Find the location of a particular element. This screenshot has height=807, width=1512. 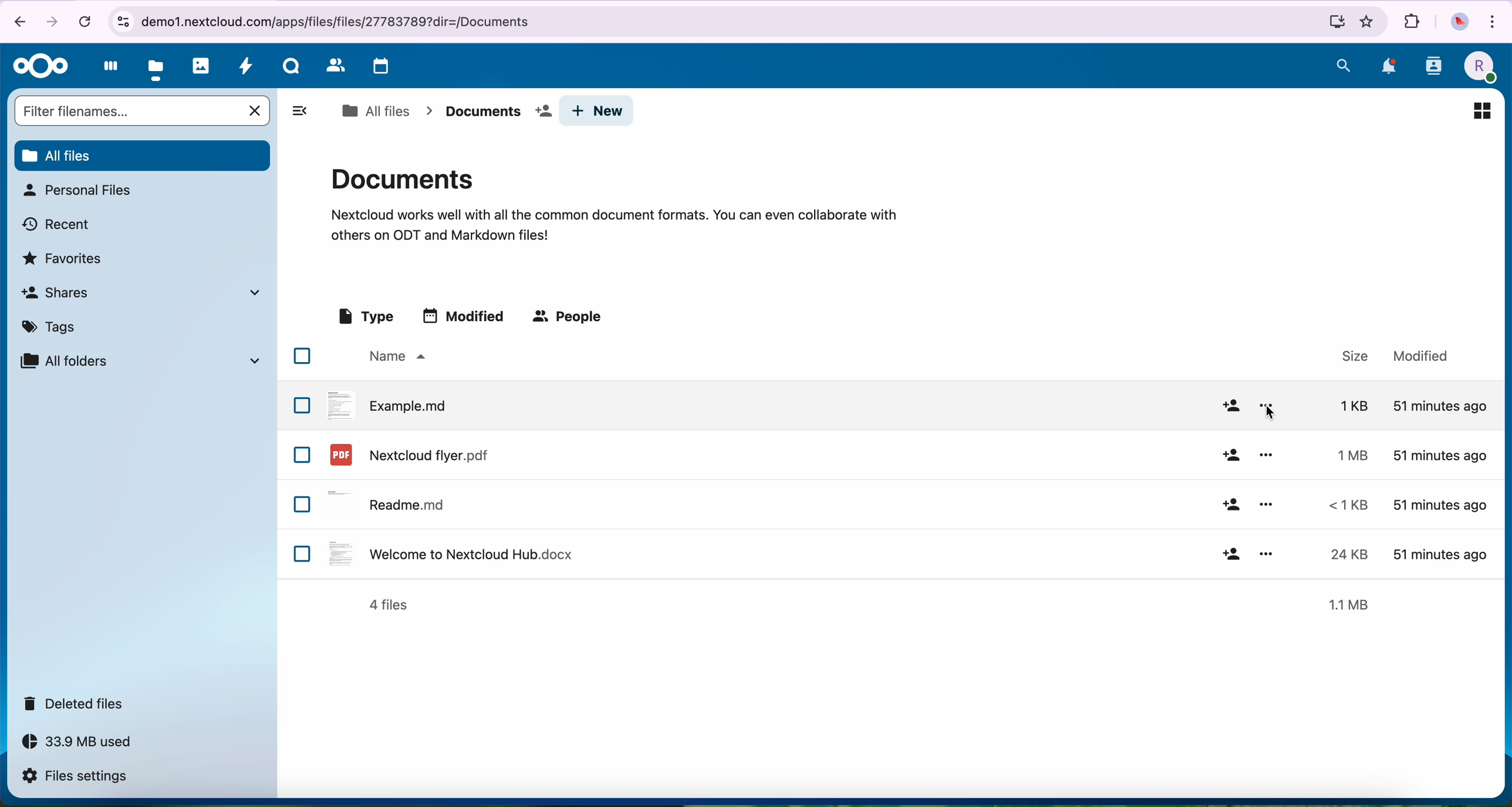

deleted files is located at coordinates (77, 704).